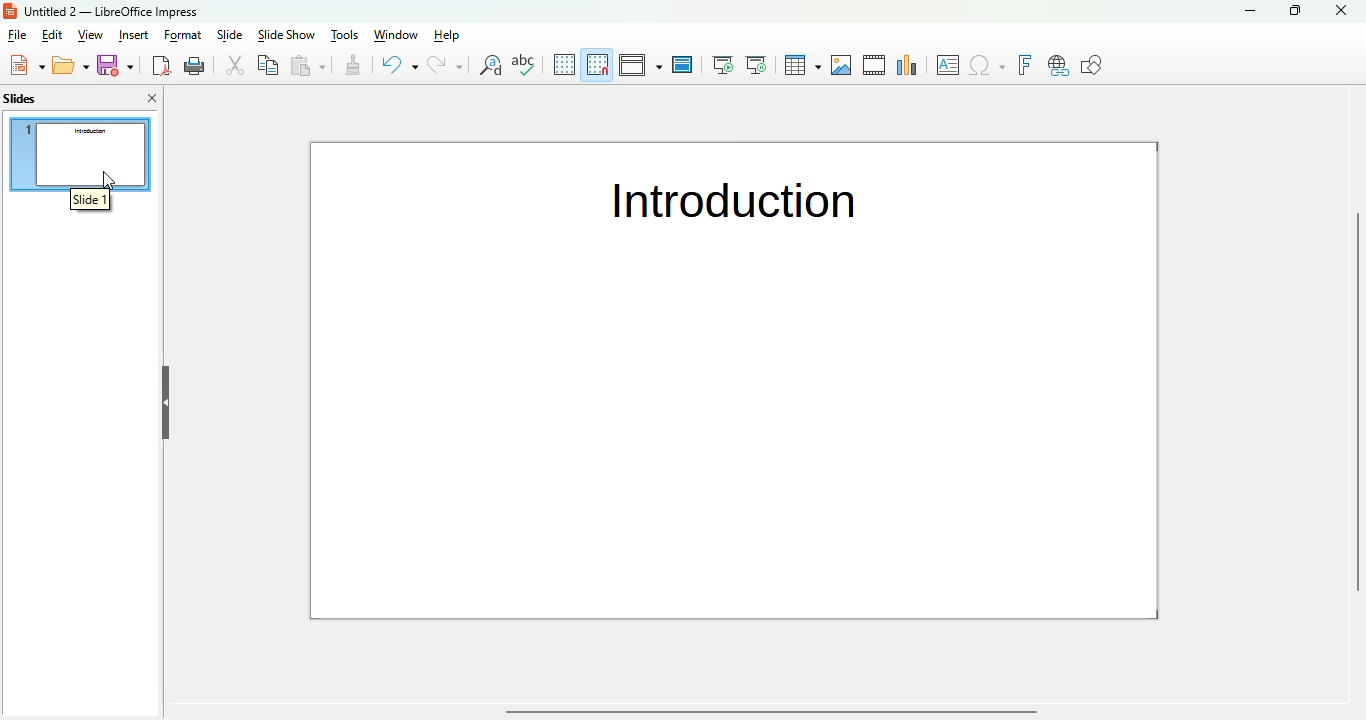 The image size is (1366, 720). What do you see at coordinates (843, 65) in the screenshot?
I see `insert image` at bounding box center [843, 65].